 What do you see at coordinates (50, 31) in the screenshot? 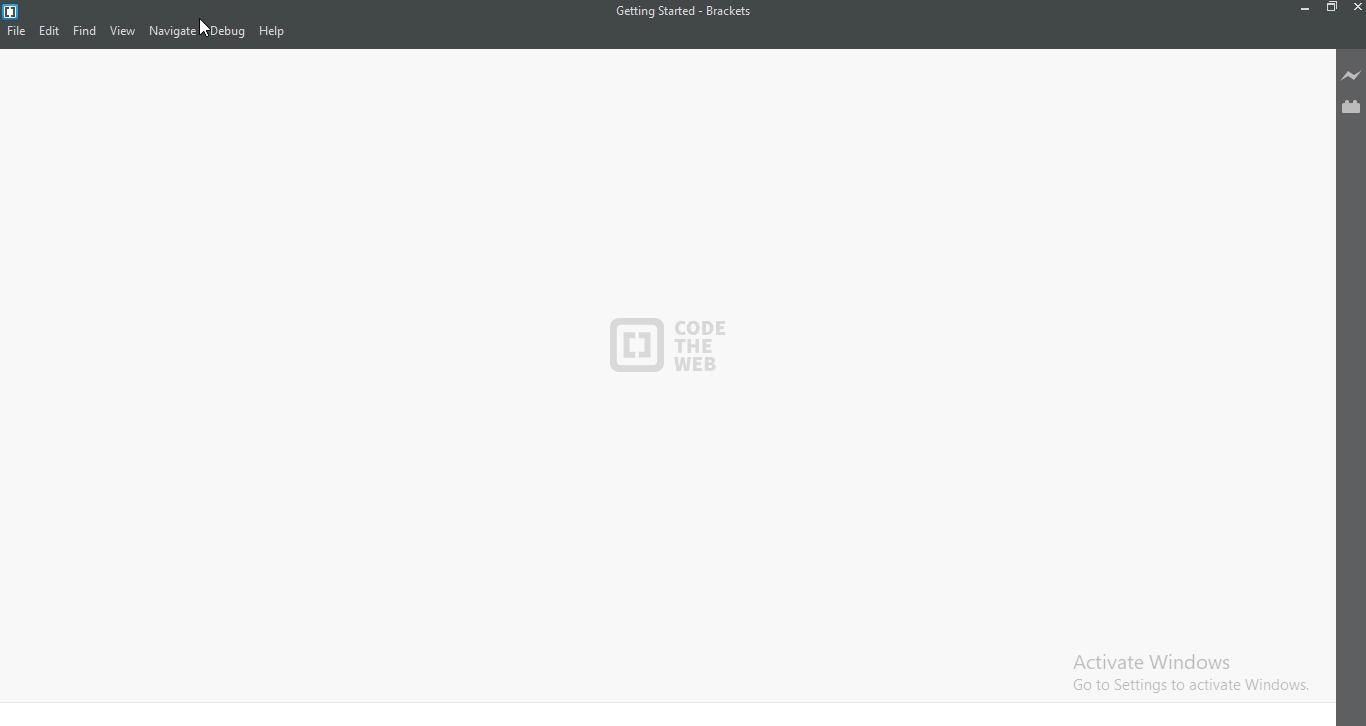
I see `Edit` at bounding box center [50, 31].